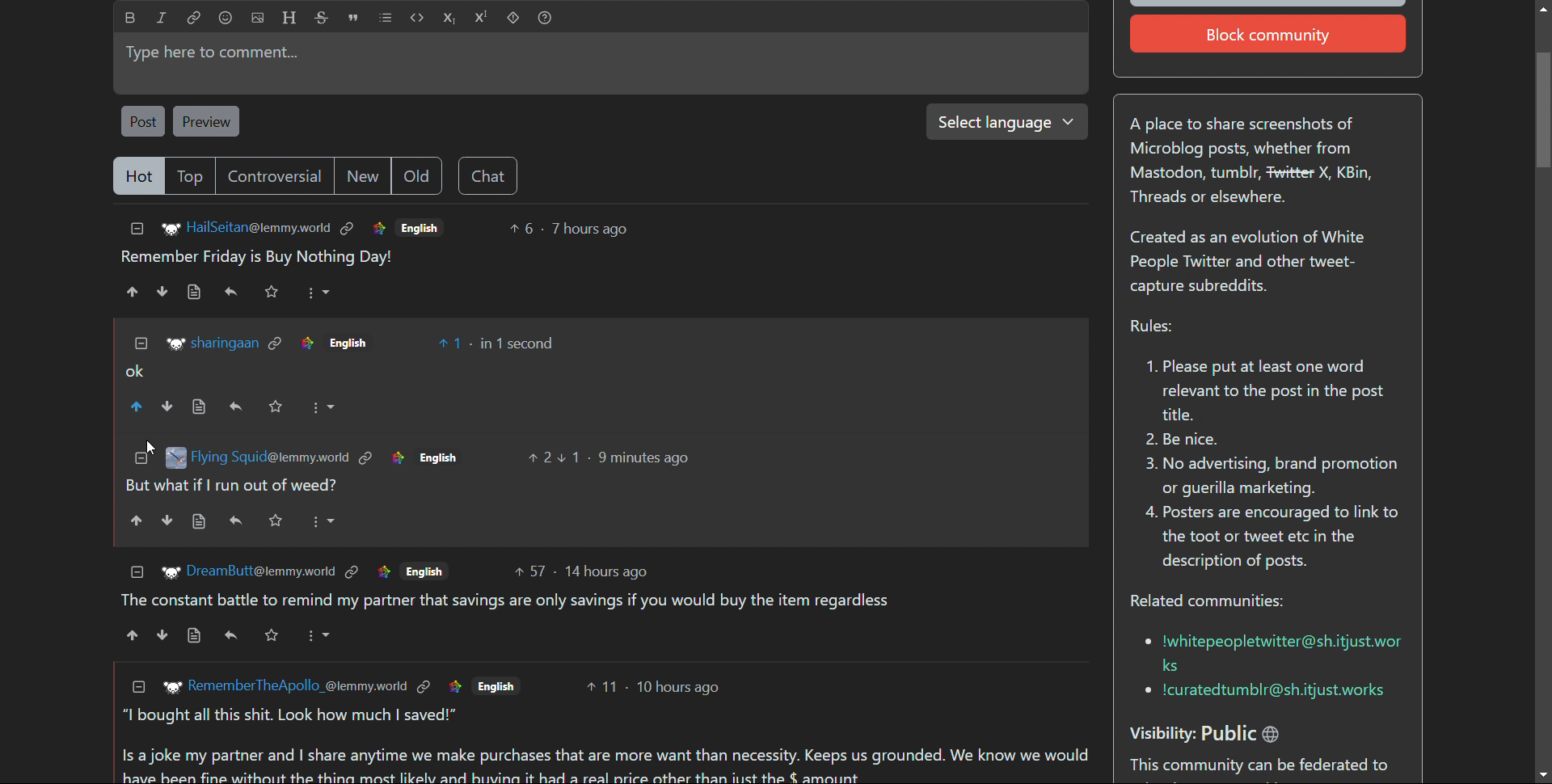 The height and width of the screenshot is (784, 1552). I want to click on time of posting, so click(629, 457).